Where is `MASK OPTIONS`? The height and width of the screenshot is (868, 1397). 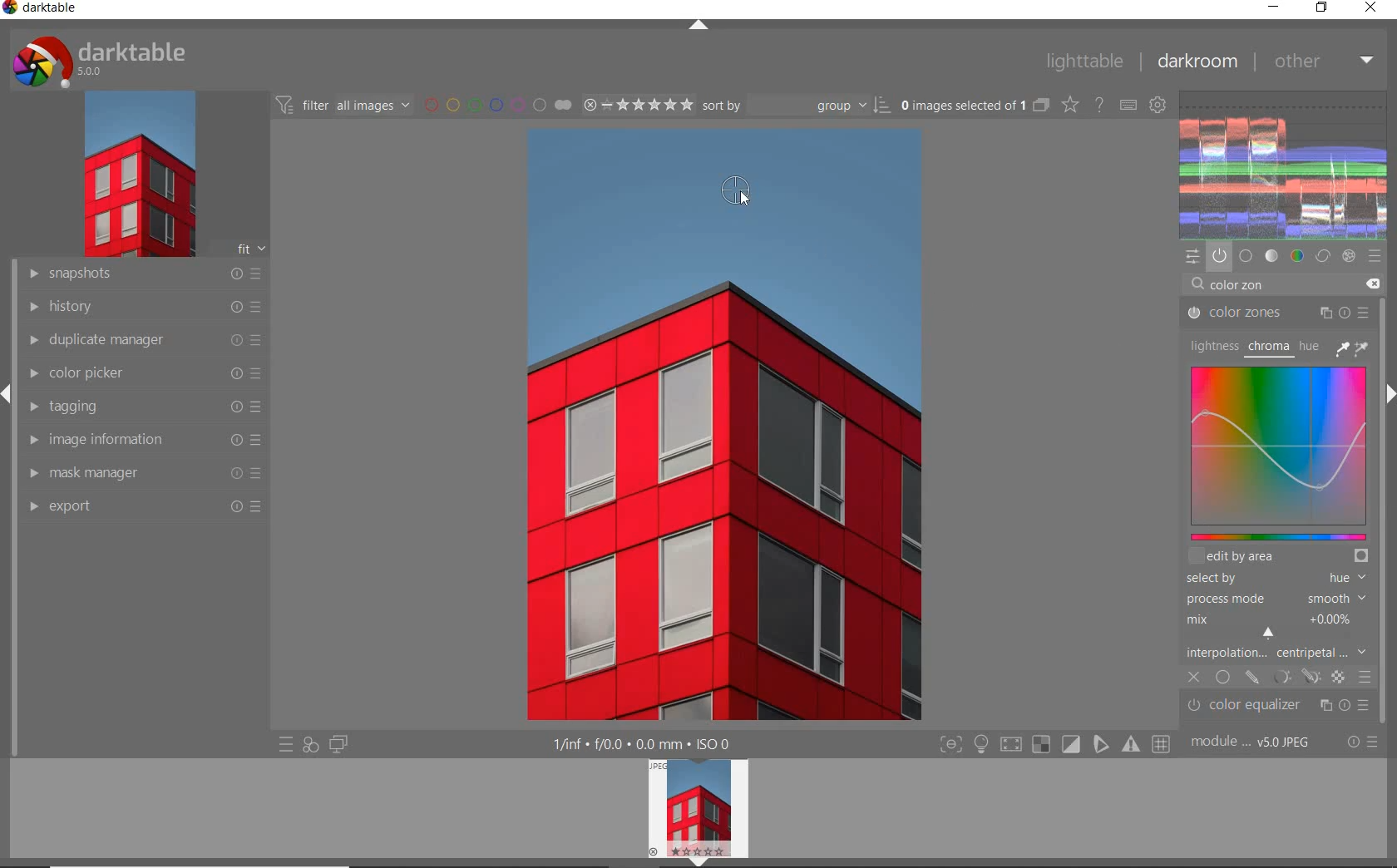
MASK OPTIONS is located at coordinates (1294, 677).